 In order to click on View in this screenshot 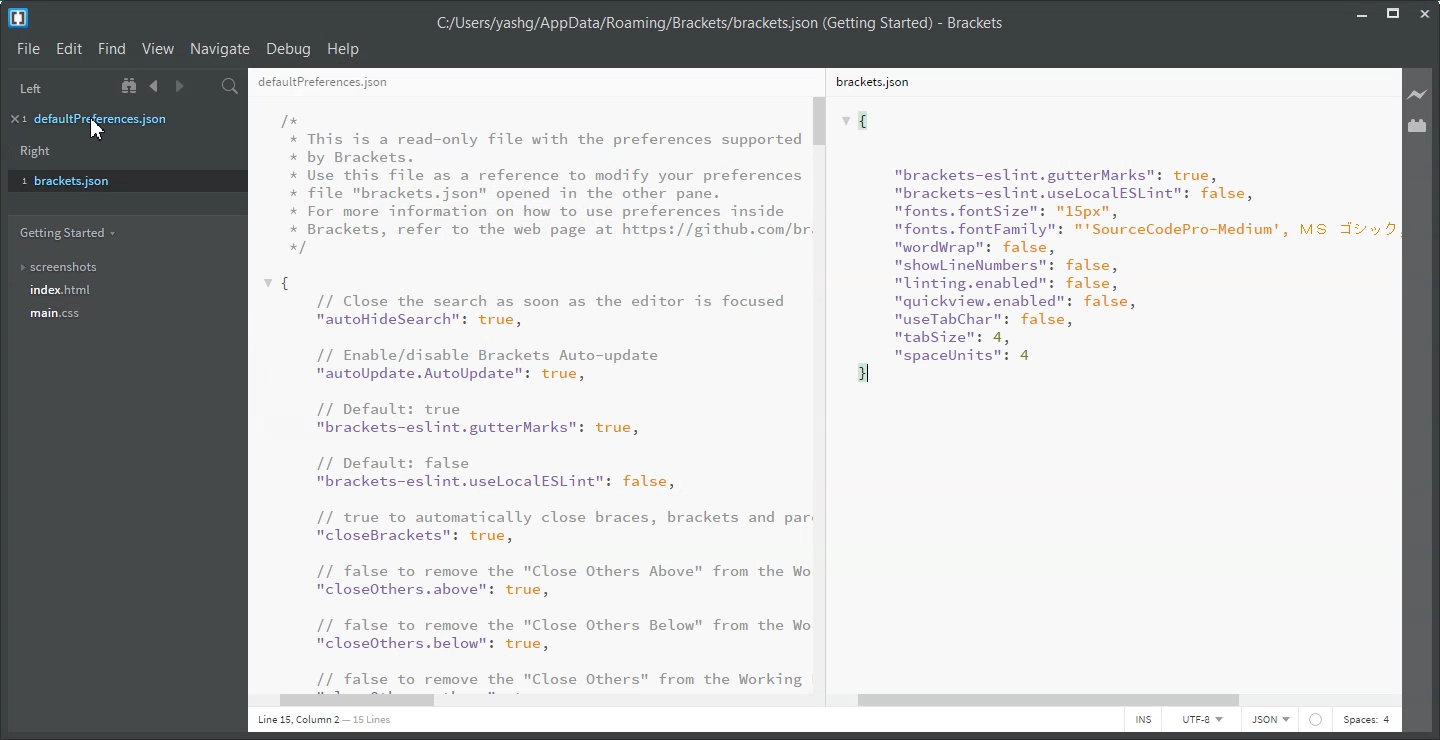, I will do `click(157, 49)`.